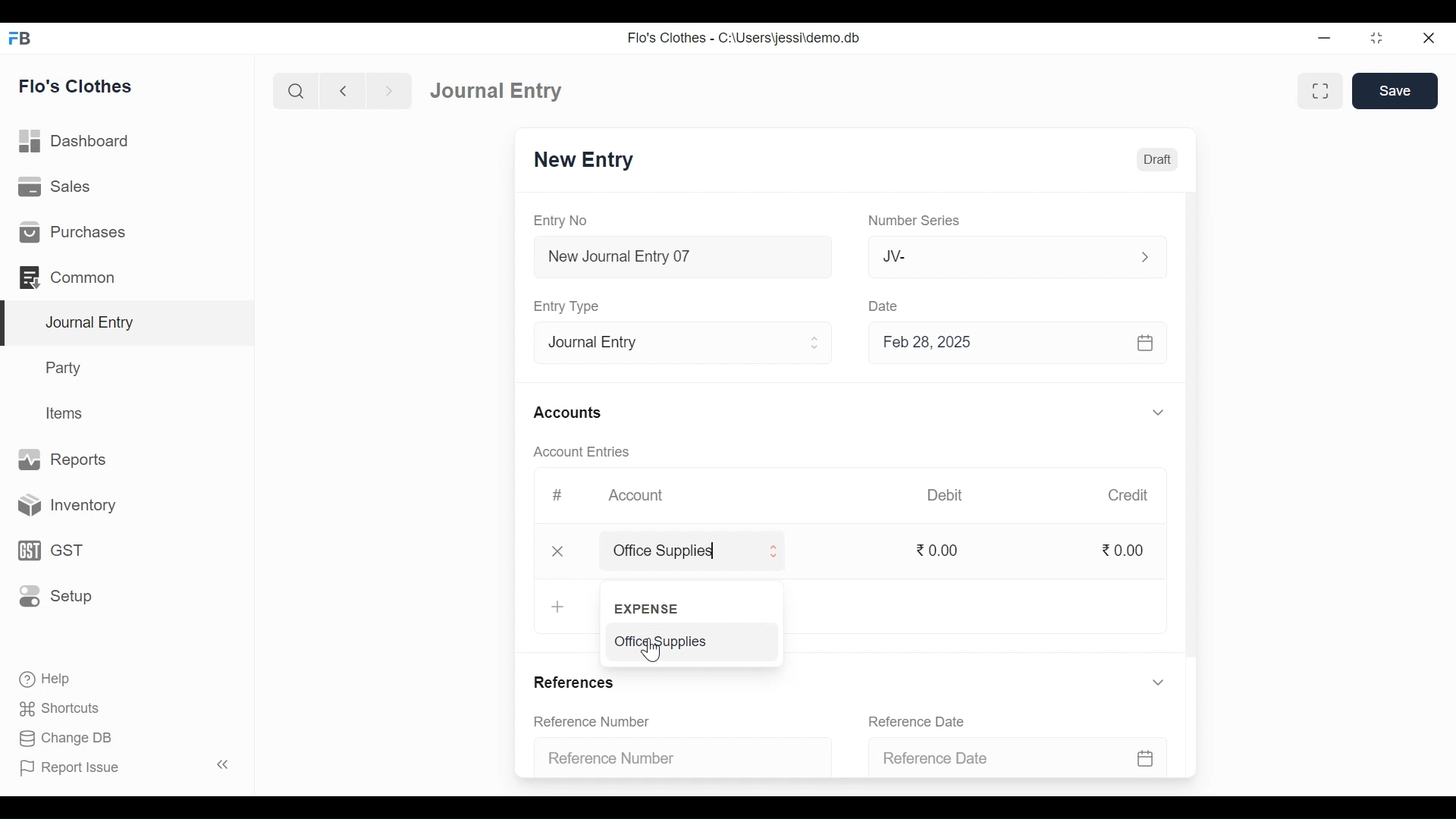 Image resolution: width=1456 pixels, height=819 pixels. I want to click on Debit, so click(943, 495).